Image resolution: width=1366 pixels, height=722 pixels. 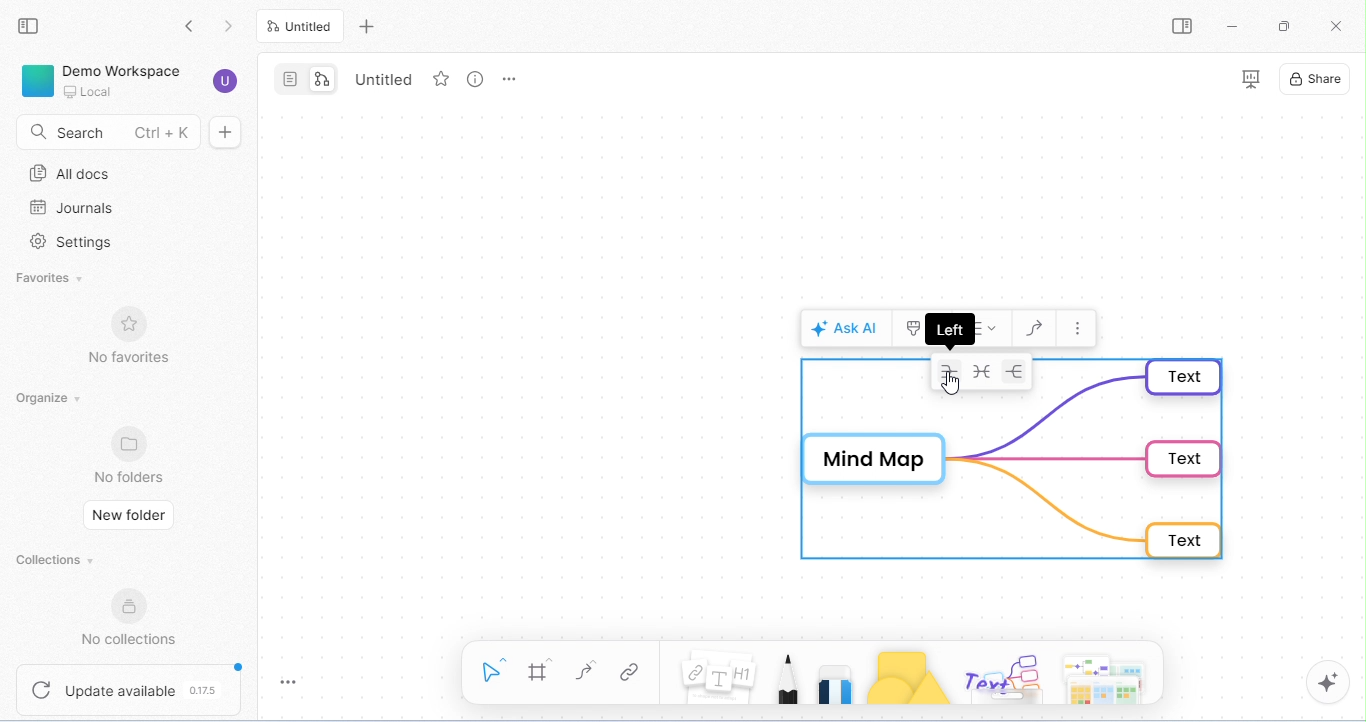 What do you see at coordinates (984, 370) in the screenshot?
I see `radial` at bounding box center [984, 370].